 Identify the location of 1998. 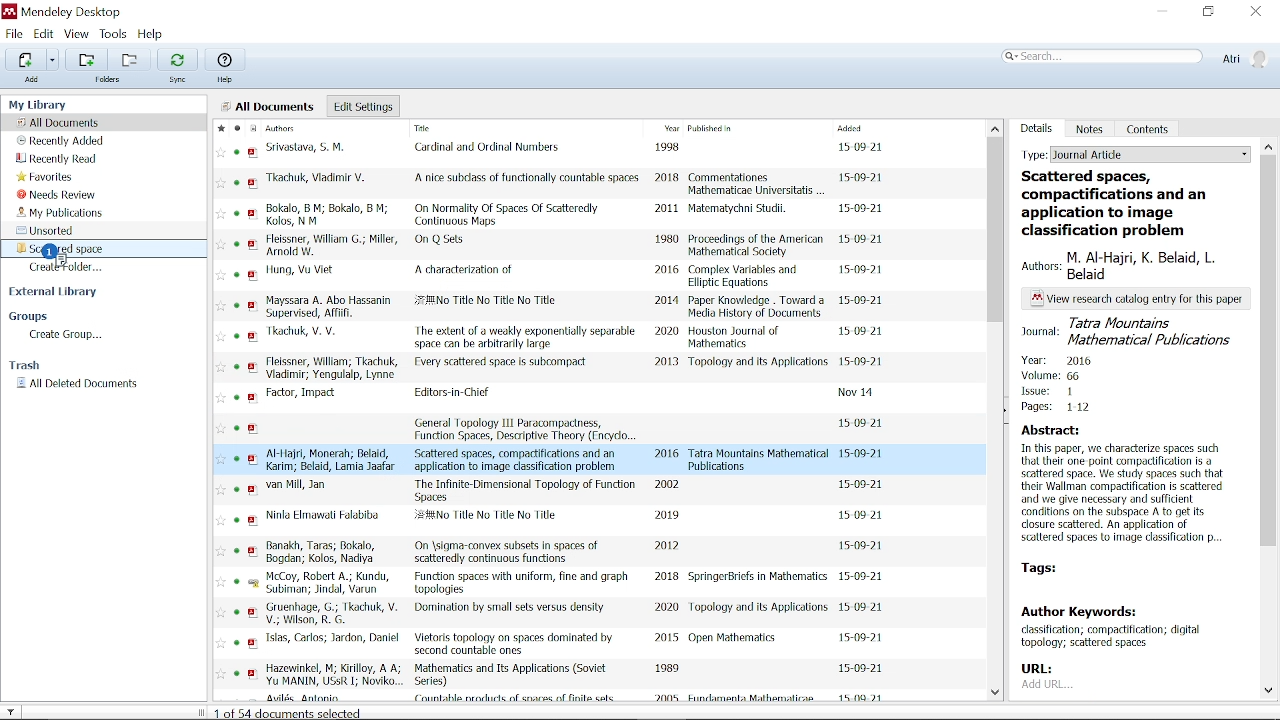
(670, 148).